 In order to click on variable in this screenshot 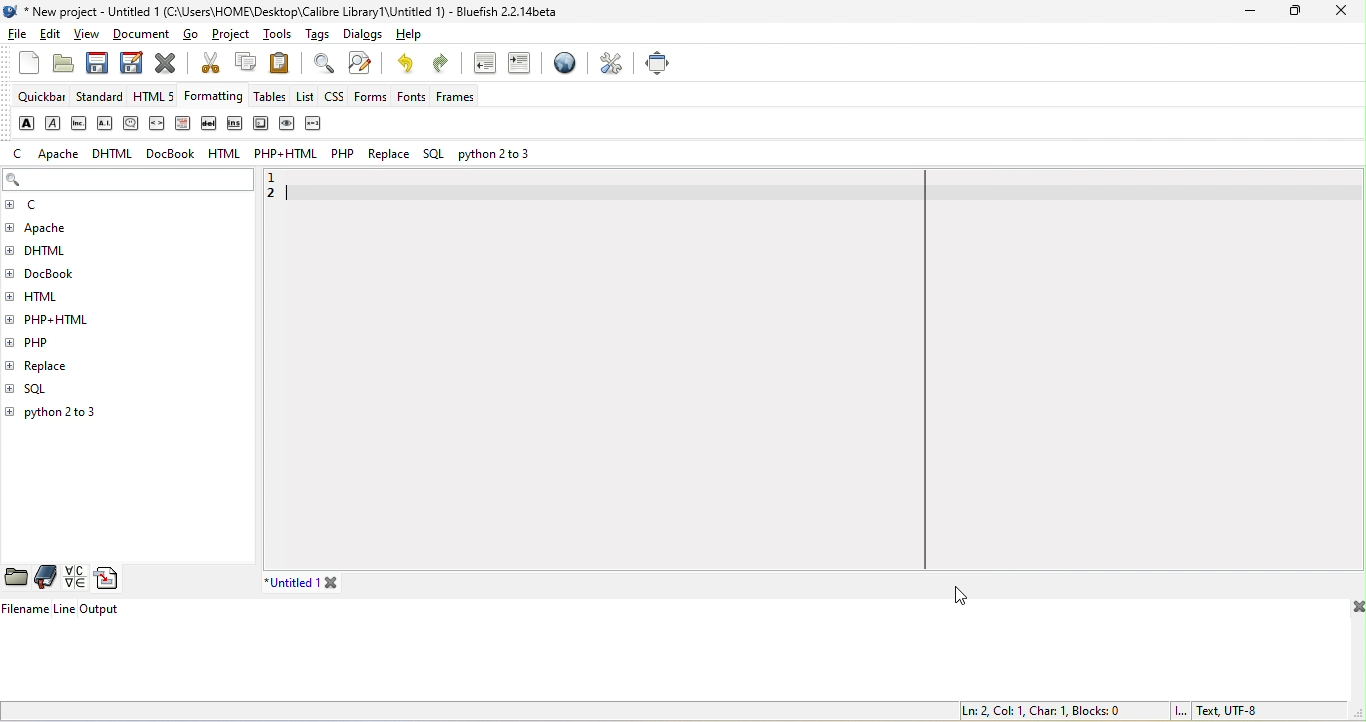, I will do `click(316, 124)`.